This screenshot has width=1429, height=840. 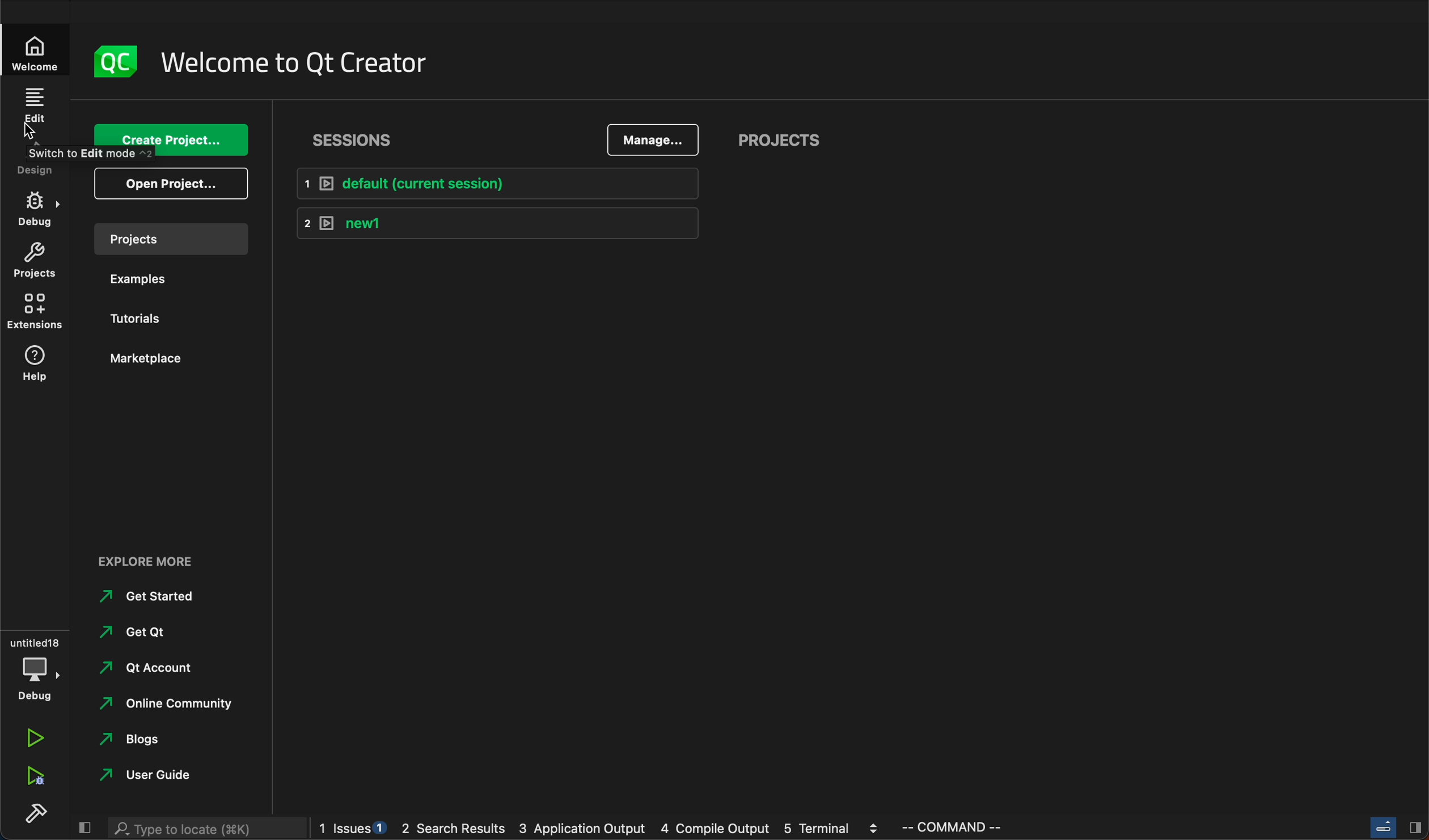 What do you see at coordinates (167, 559) in the screenshot?
I see `explore` at bounding box center [167, 559].